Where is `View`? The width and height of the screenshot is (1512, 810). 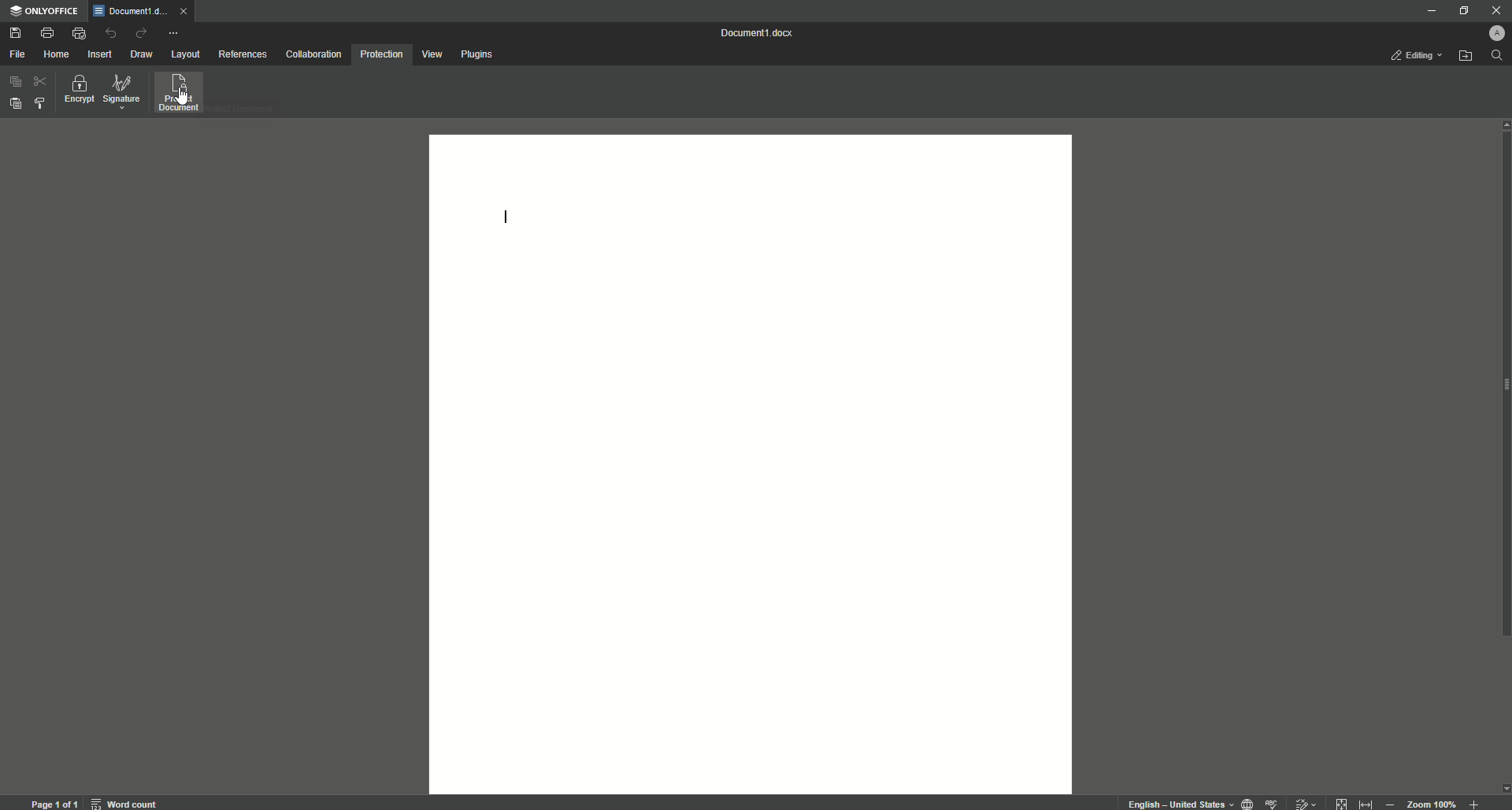 View is located at coordinates (432, 54).